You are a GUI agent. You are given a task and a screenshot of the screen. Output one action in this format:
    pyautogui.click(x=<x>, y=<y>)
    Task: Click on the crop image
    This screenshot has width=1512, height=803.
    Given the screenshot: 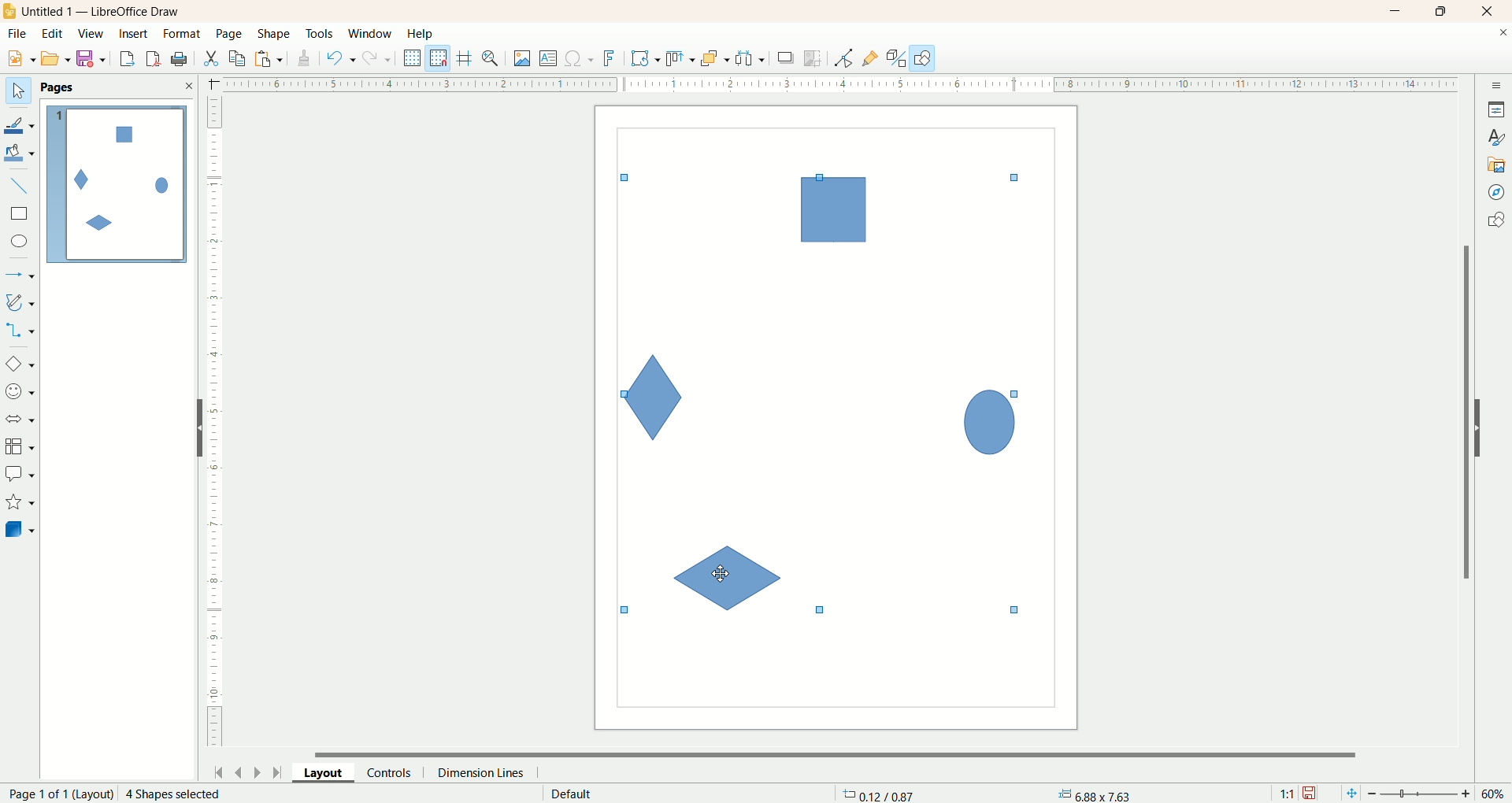 What is the action you would take?
    pyautogui.click(x=813, y=58)
    